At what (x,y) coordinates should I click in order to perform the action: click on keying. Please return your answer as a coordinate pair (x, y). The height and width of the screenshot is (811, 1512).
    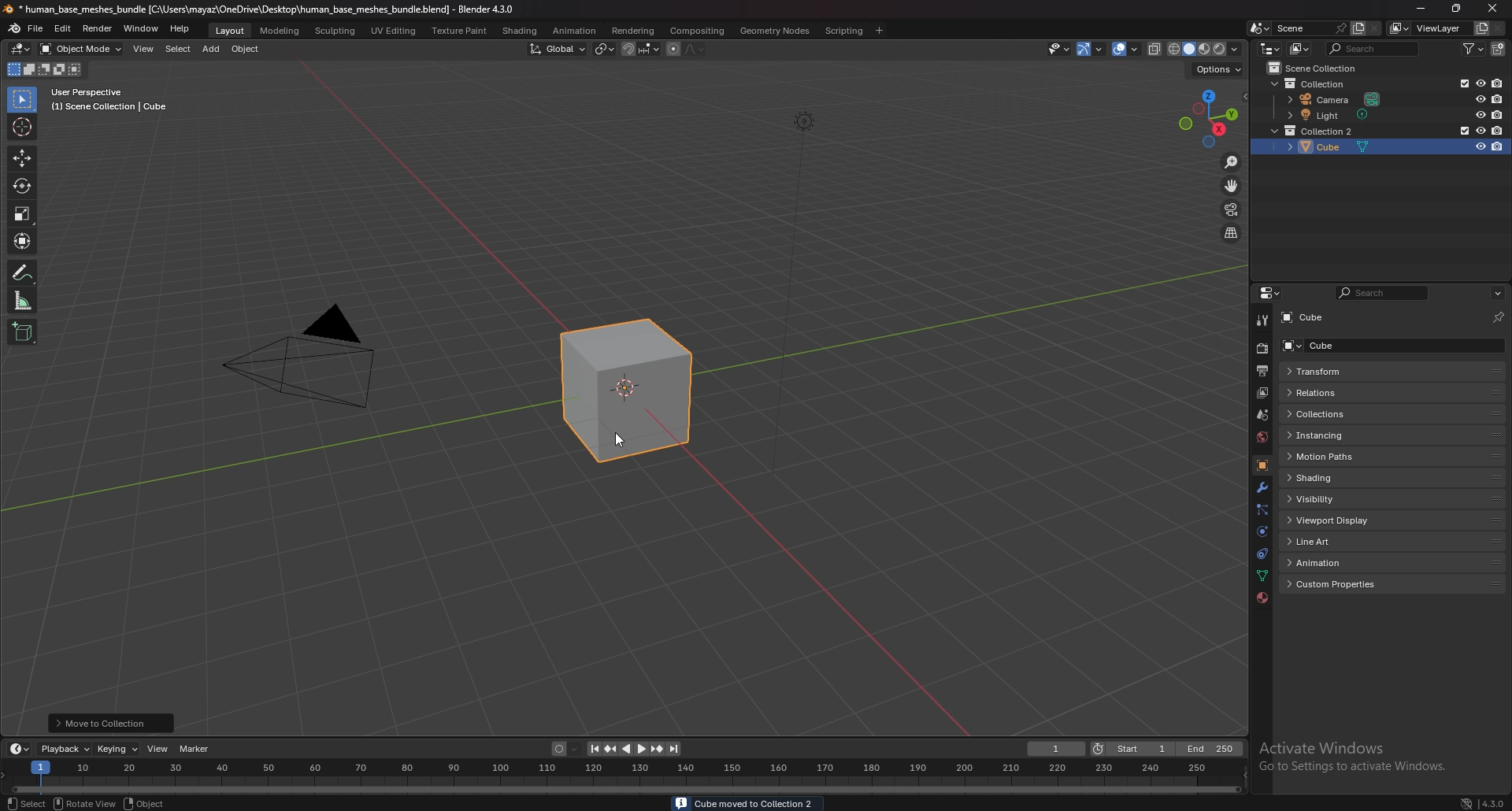
    Looking at the image, I should click on (120, 749).